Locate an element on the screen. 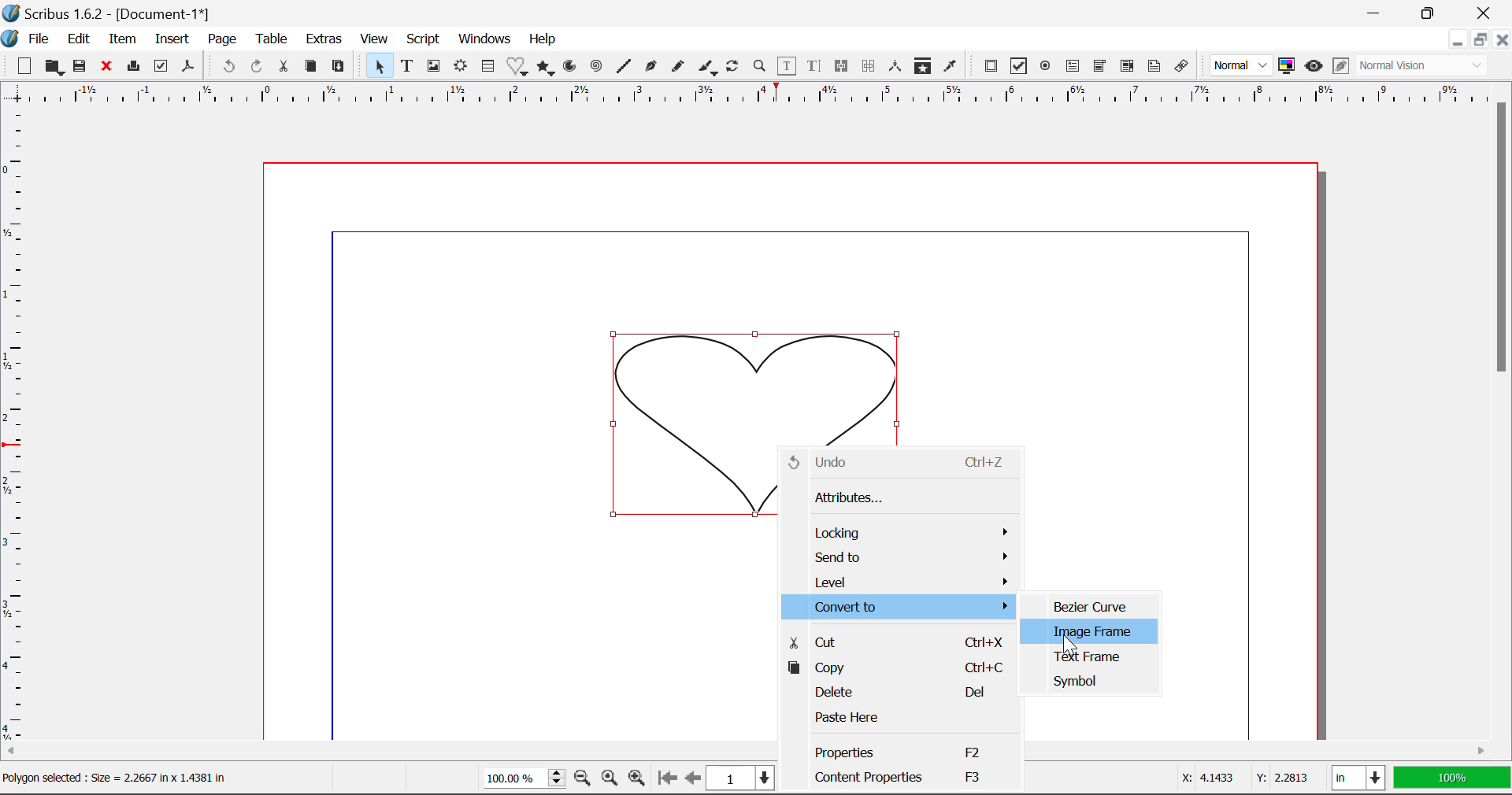 The height and width of the screenshot is (795, 1512). Cut is located at coordinates (287, 65).